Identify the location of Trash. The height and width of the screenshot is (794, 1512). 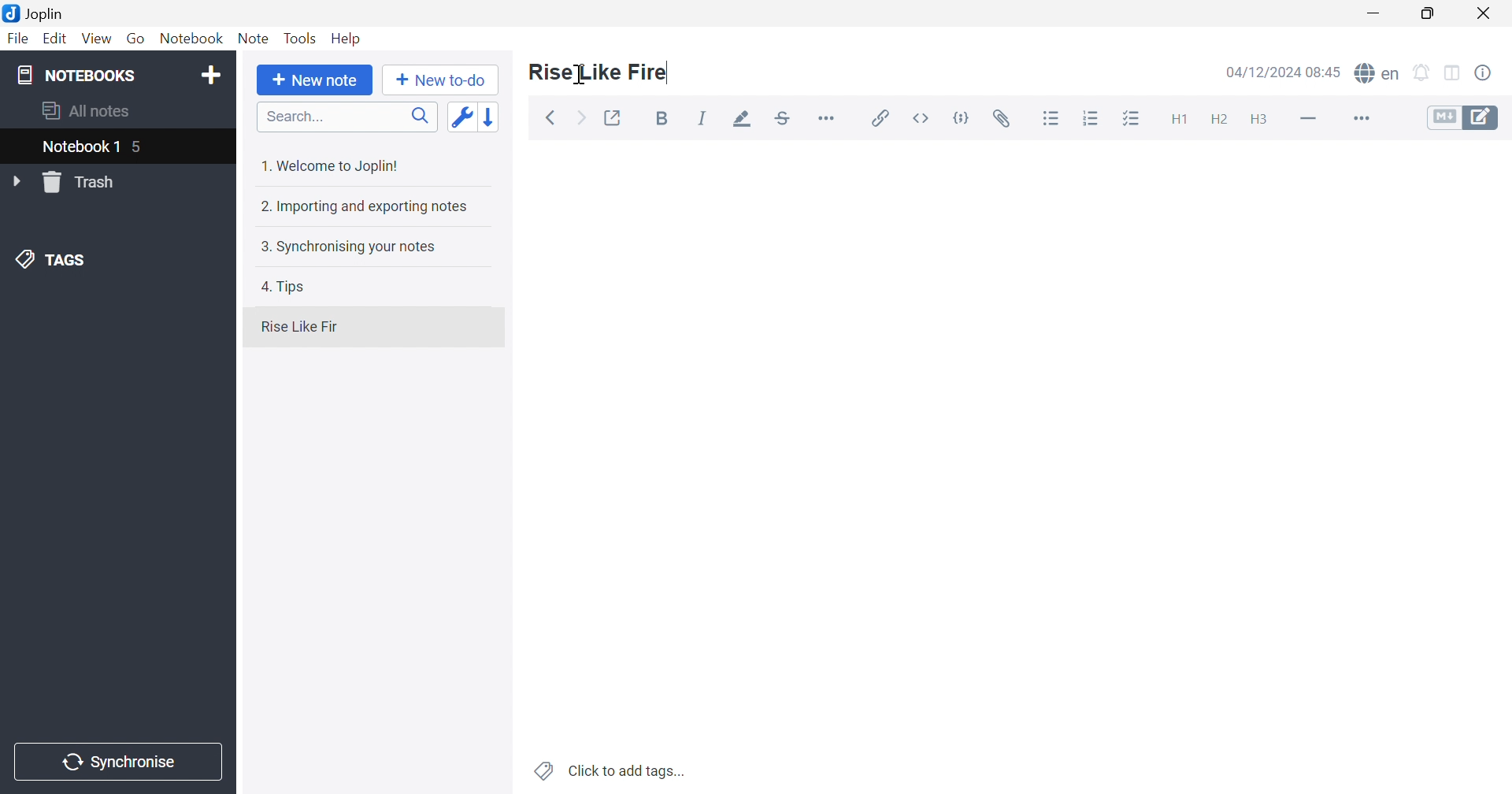
(81, 184).